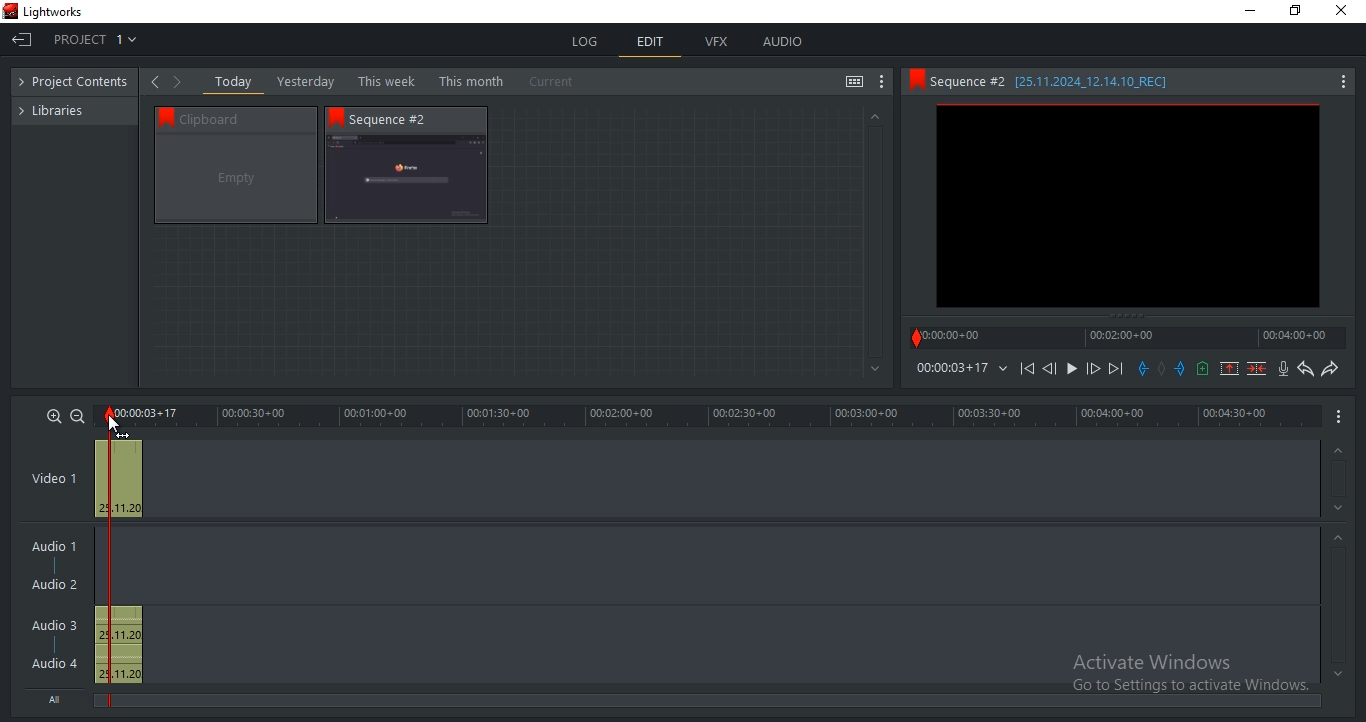 This screenshot has width=1366, height=722. What do you see at coordinates (1003, 369) in the screenshot?
I see `Drop down arrow` at bounding box center [1003, 369].